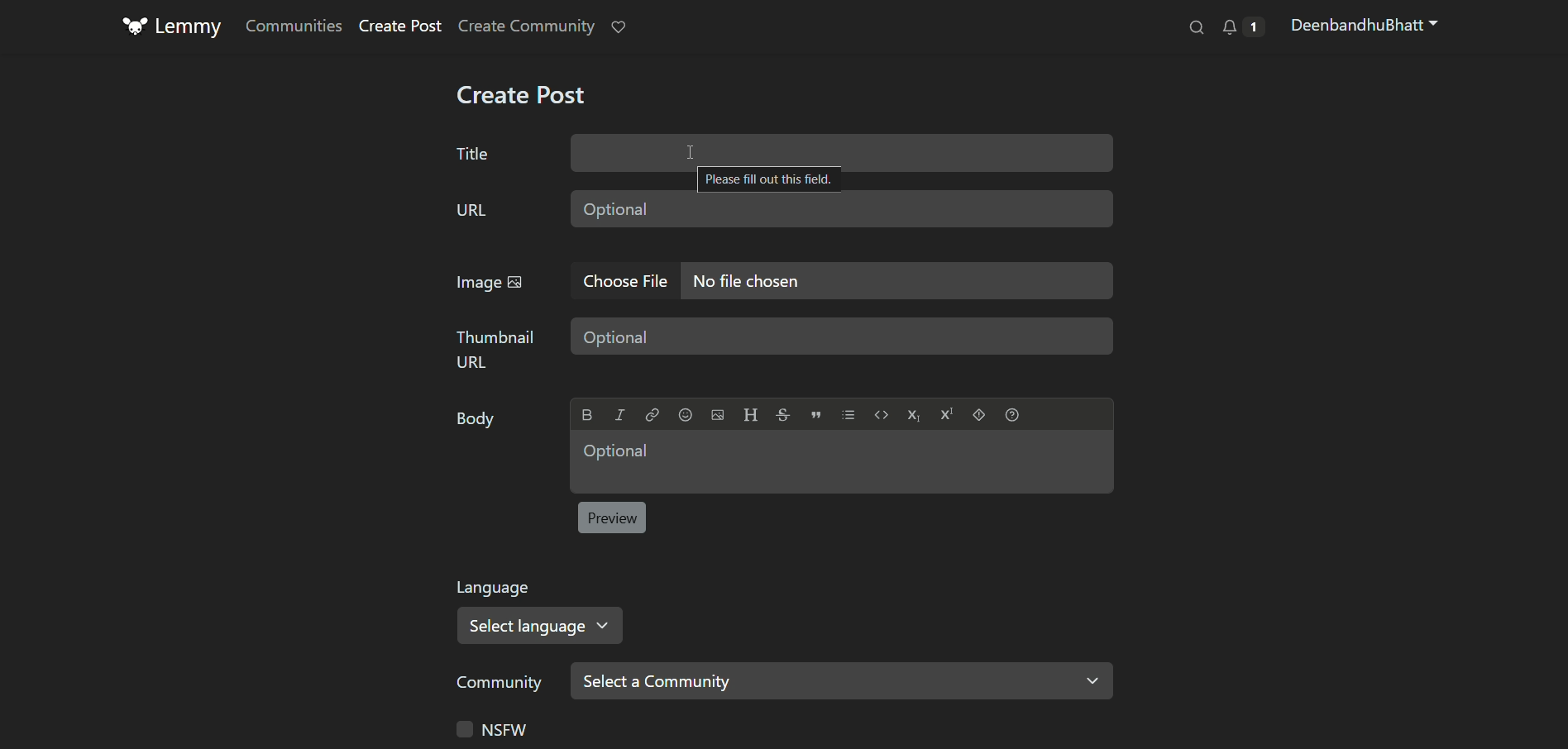 The height and width of the screenshot is (749, 1568). I want to click on select a community, so click(843, 680).